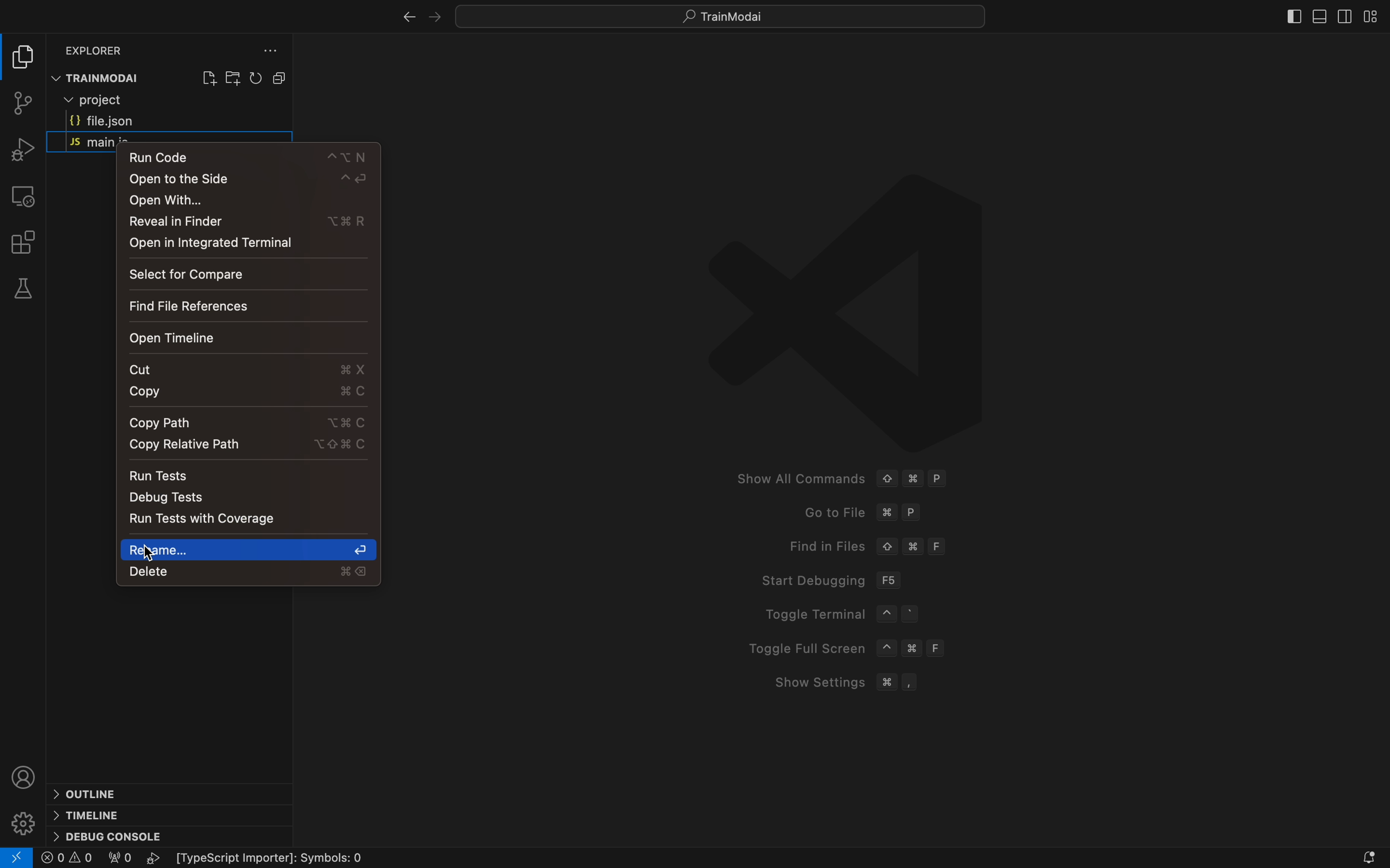 The width and height of the screenshot is (1390, 868). What do you see at coordinates (247, 420) in the screenshot?
I see `copy path` at bounding box center [247, 420].